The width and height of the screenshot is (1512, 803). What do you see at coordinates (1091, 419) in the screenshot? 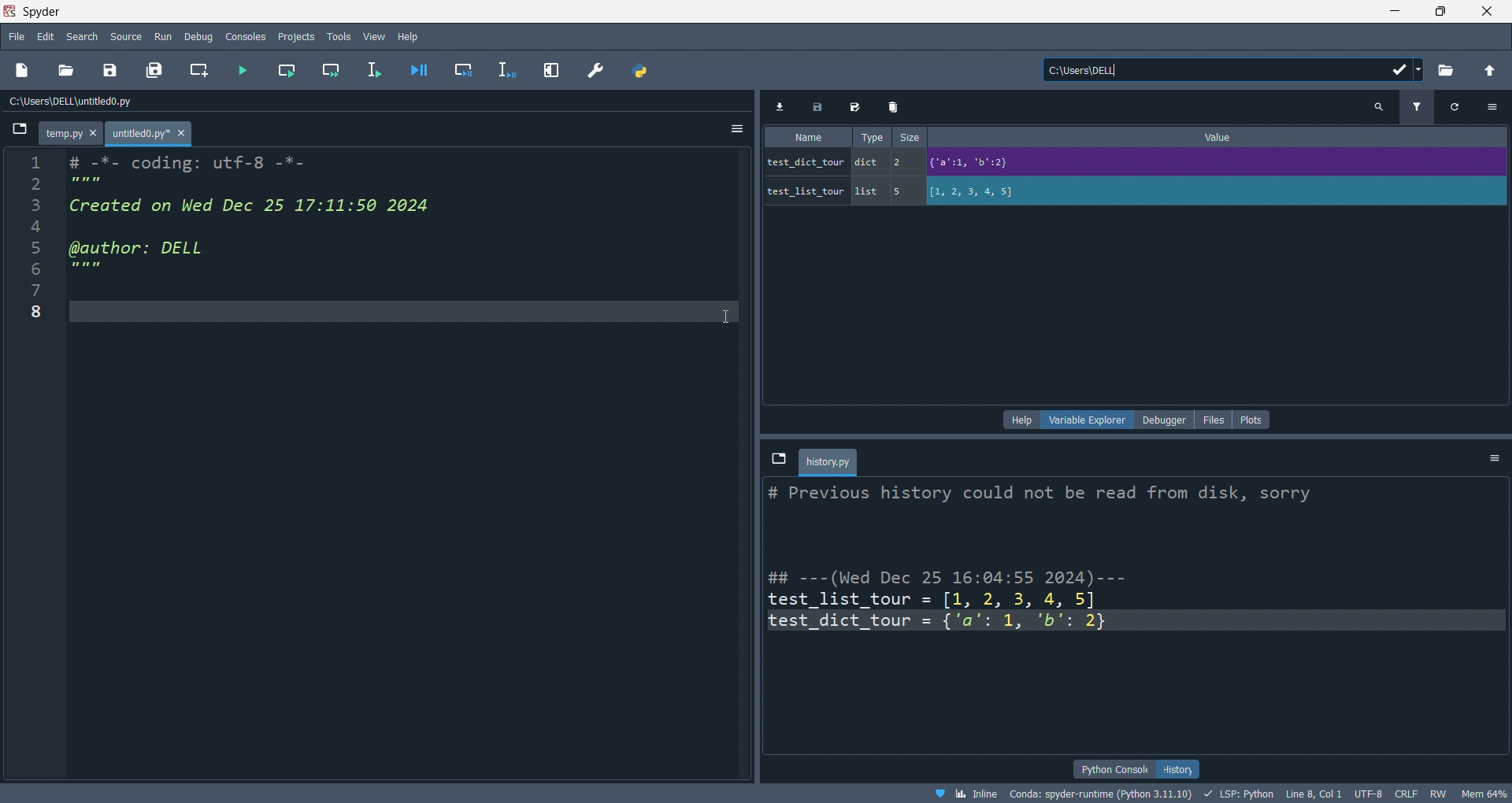
I see `variable explorer` at bounding box center [1091, 419].